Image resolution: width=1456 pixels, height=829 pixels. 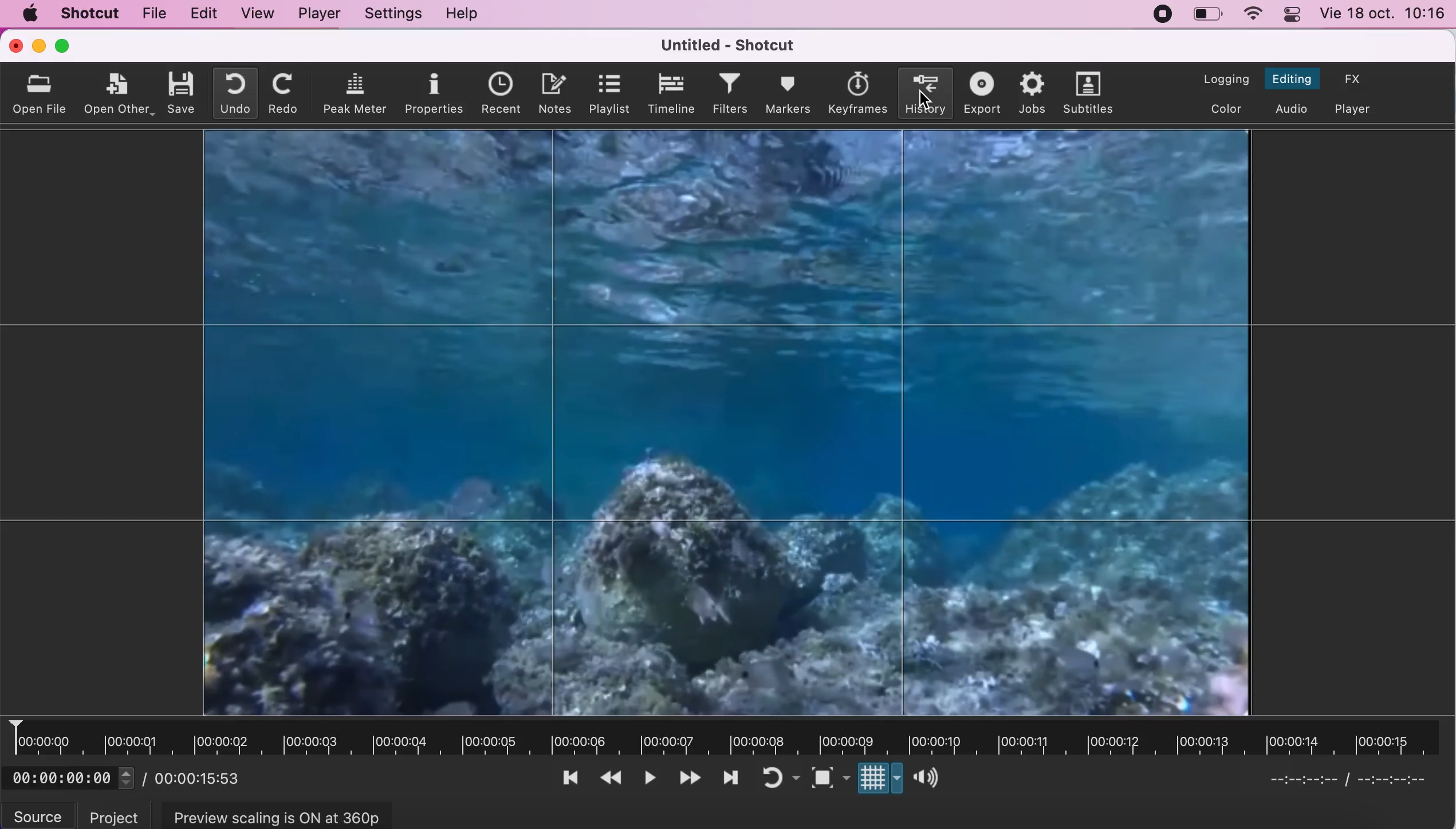 What do you see at coordinates (31, 13) in the screenshot?
I see `mac logo` at bounding box center [31, 13].